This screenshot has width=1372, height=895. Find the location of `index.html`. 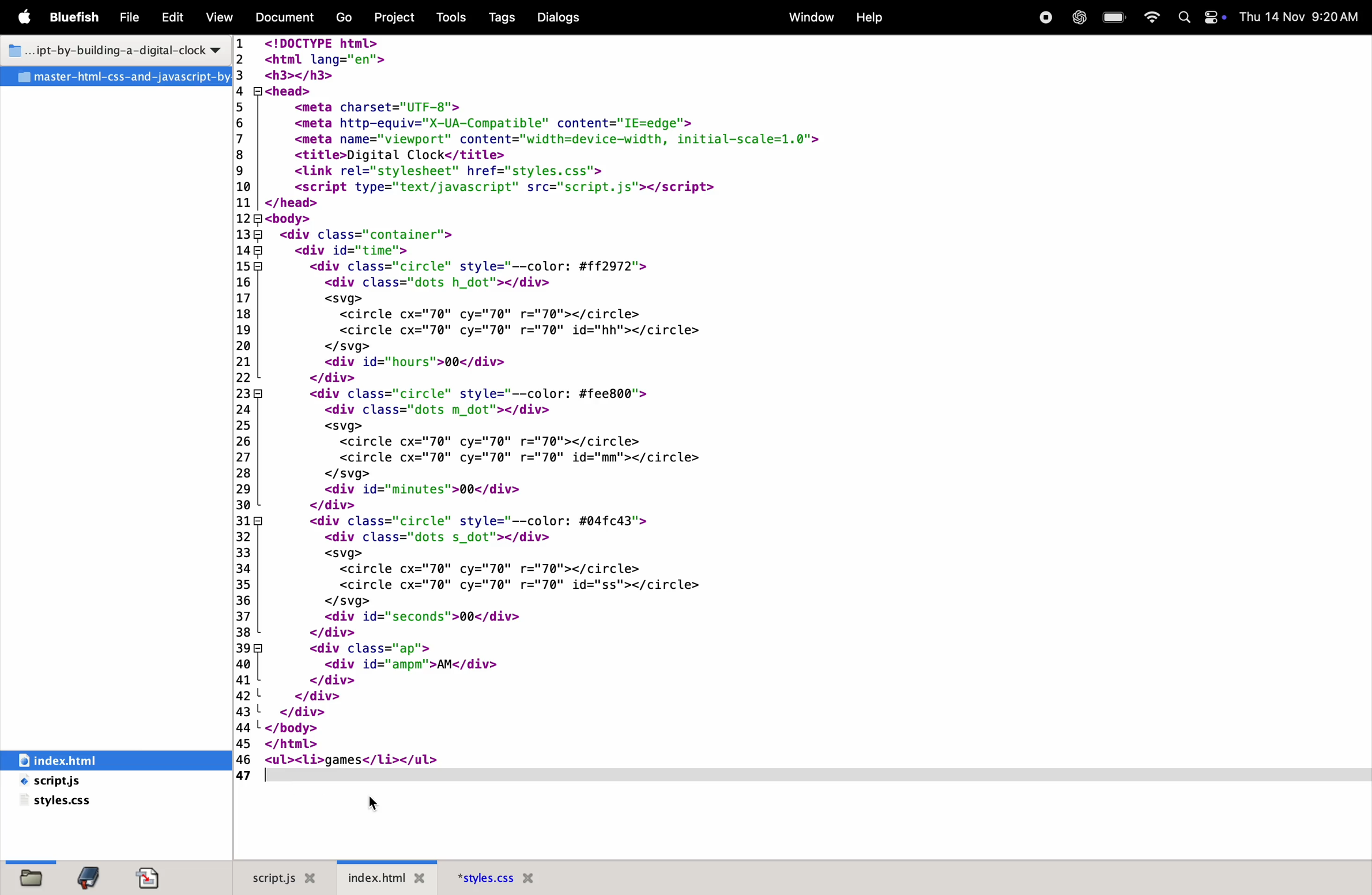

index.html is located at coordinates (392, 877).